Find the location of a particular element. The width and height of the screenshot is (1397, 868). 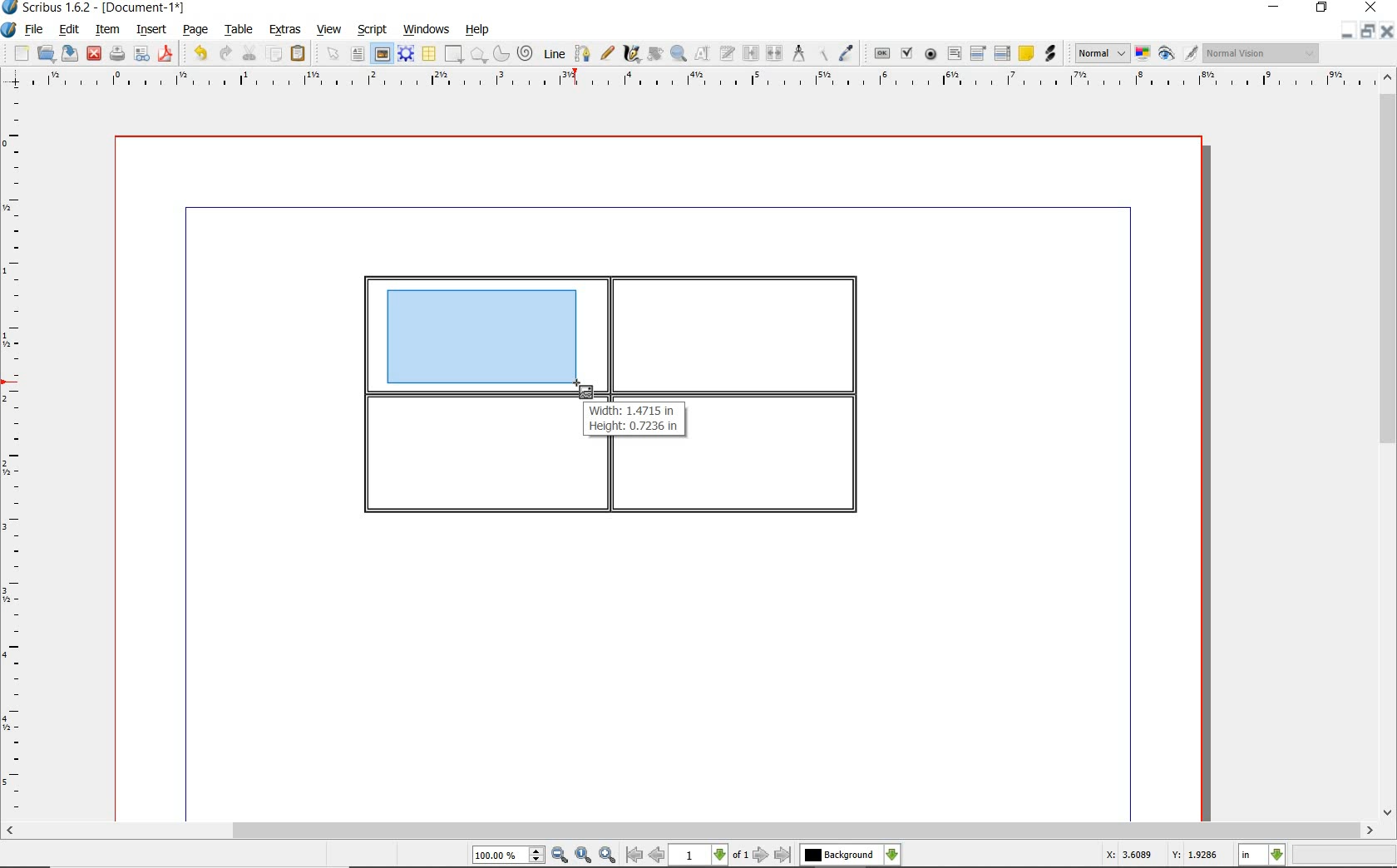

edit in preview mode is located at coordinates (1190, 54).